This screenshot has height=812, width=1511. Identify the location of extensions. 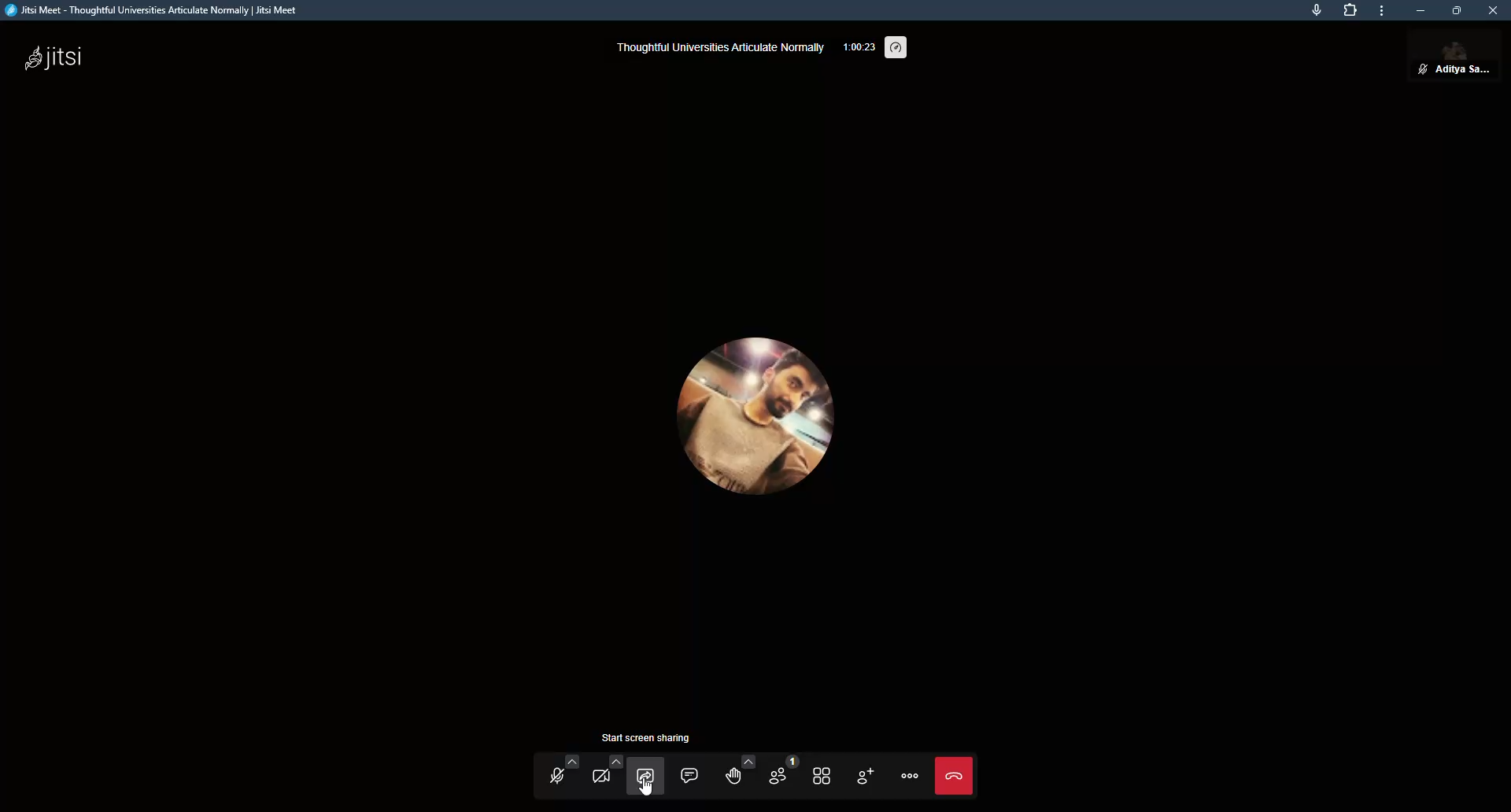
(1351, 13).